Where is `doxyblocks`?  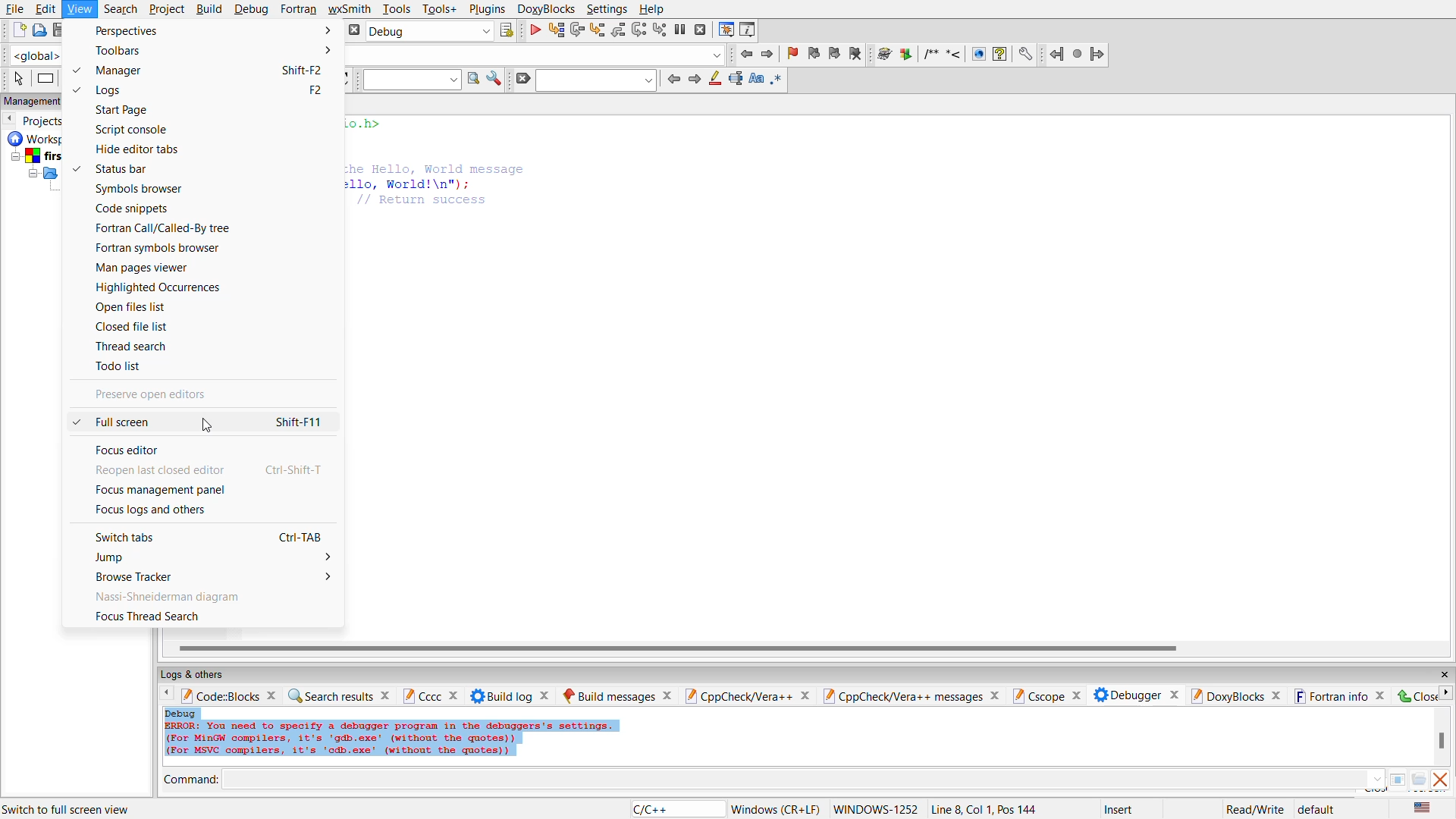
doxyblocks is located at coordinates (1235, 695).